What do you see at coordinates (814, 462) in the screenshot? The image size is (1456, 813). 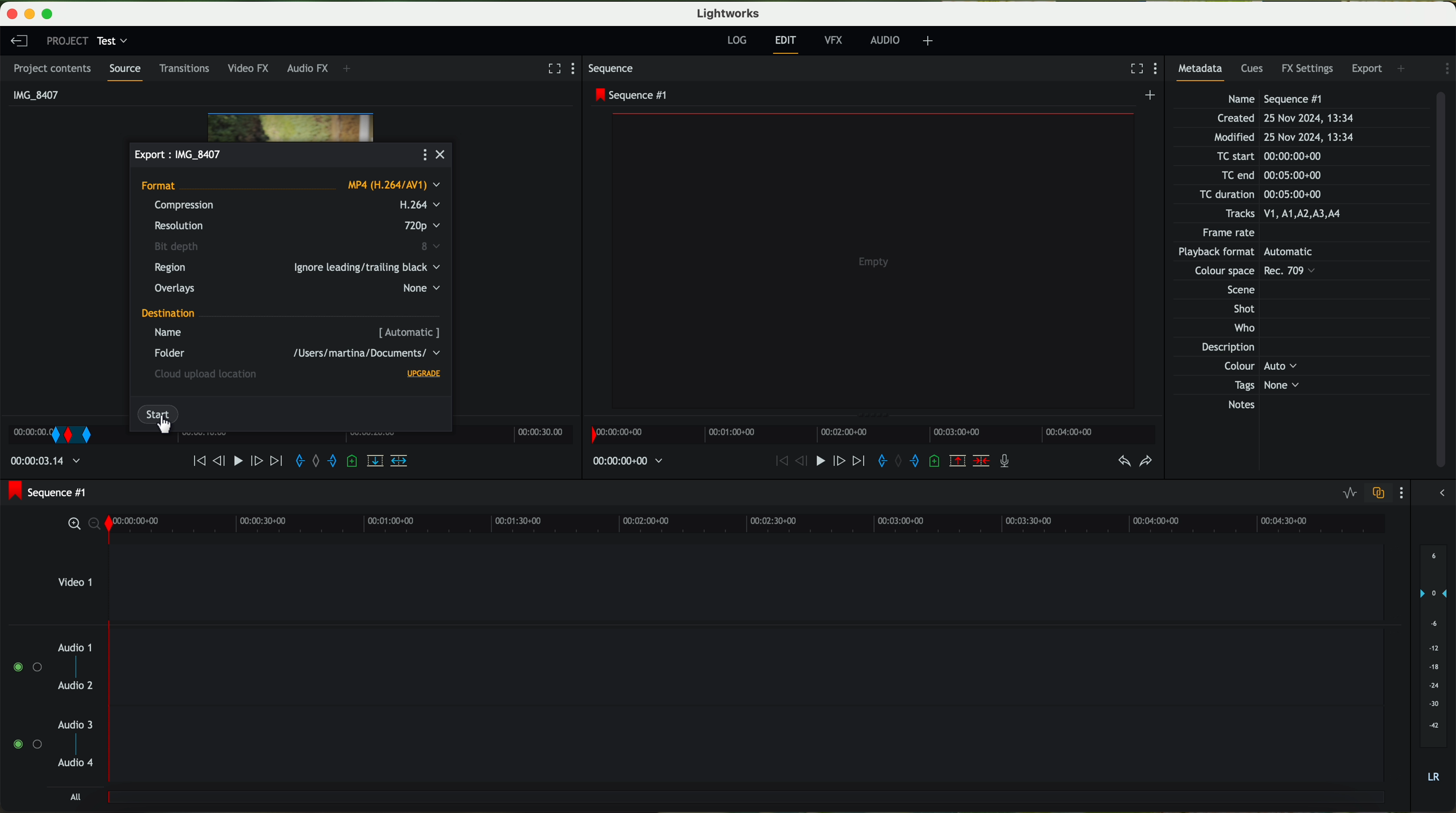 I see `play` at bounding box center [814, 462].